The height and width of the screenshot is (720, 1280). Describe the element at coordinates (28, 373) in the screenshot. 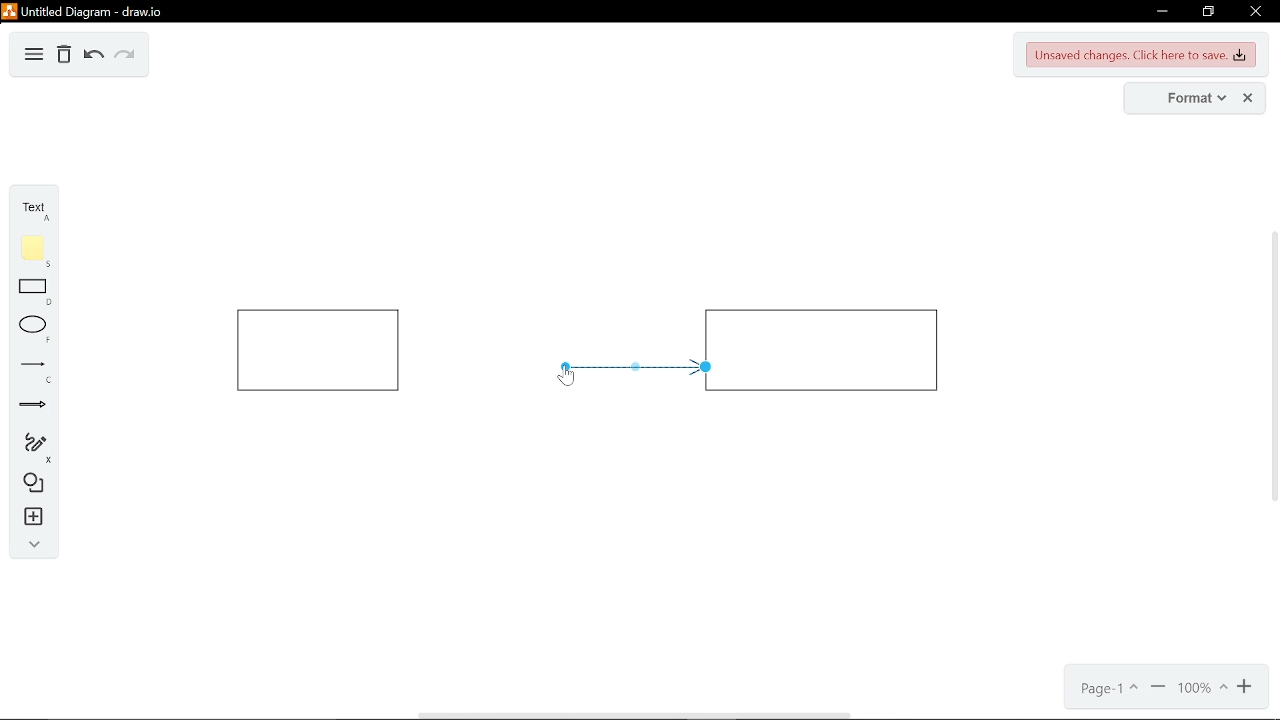

I see `lines` at that location.